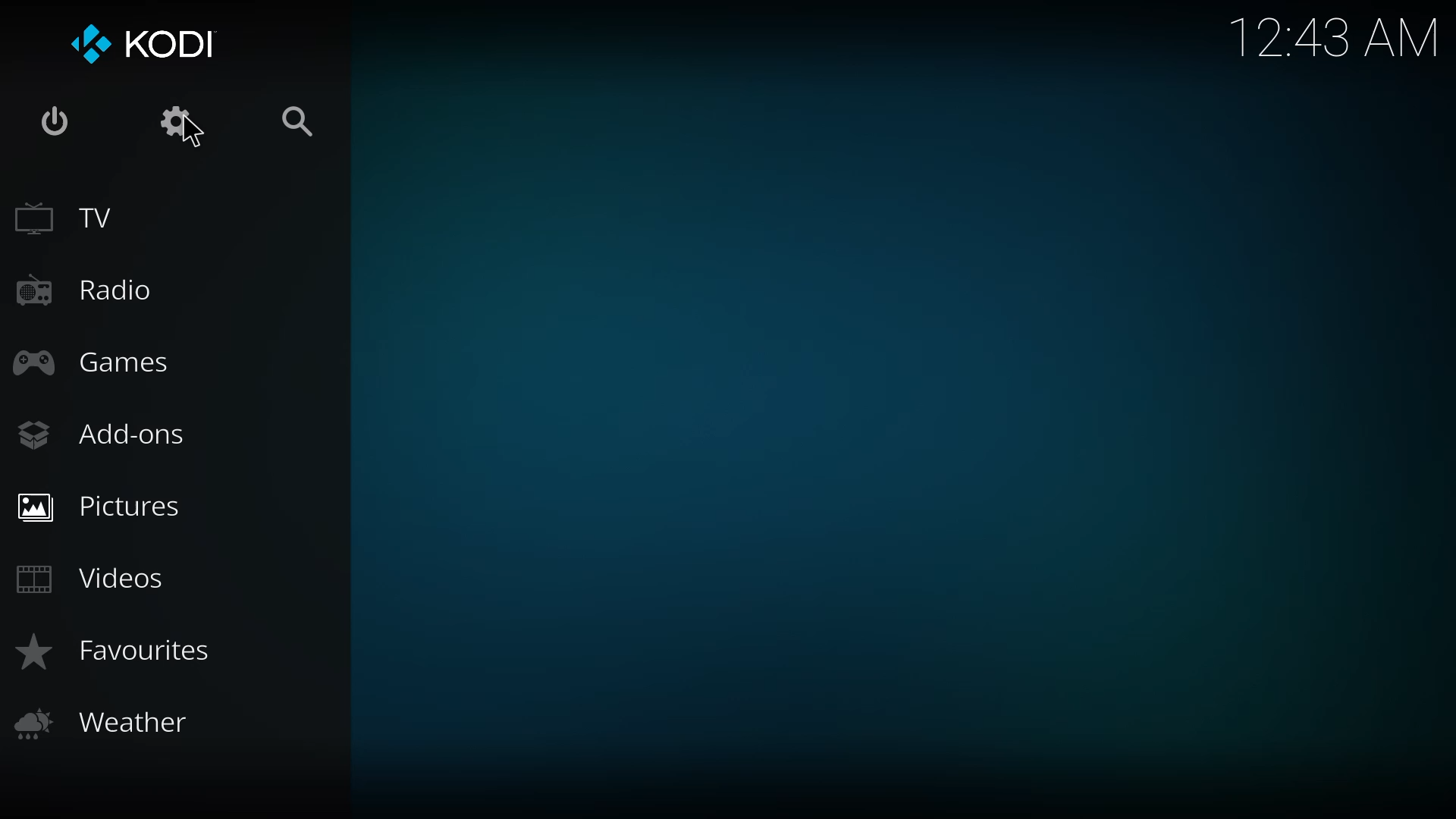 The width and height of the screenshot is (1456, 819). Describe the element at coordinates (58, 124) in the screenshot. I see `power` at that location.